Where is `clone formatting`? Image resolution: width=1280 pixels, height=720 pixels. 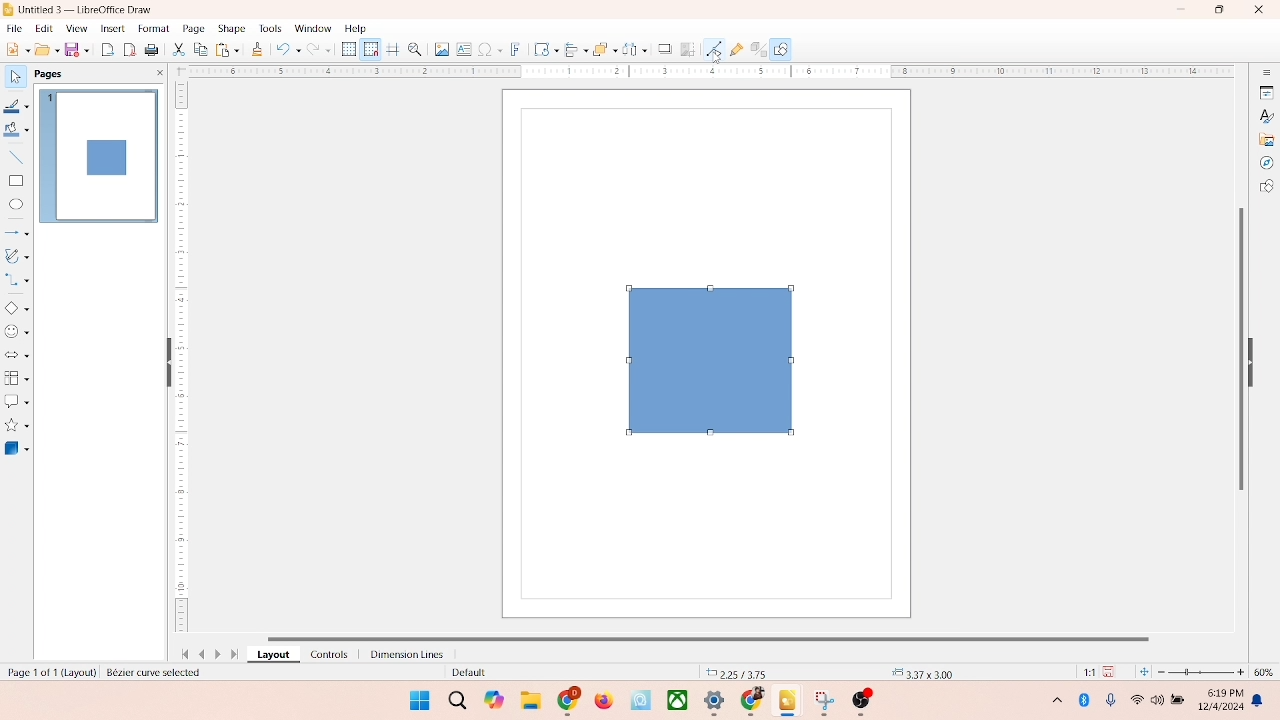
clone formatting is located at coordinates (256, 49).